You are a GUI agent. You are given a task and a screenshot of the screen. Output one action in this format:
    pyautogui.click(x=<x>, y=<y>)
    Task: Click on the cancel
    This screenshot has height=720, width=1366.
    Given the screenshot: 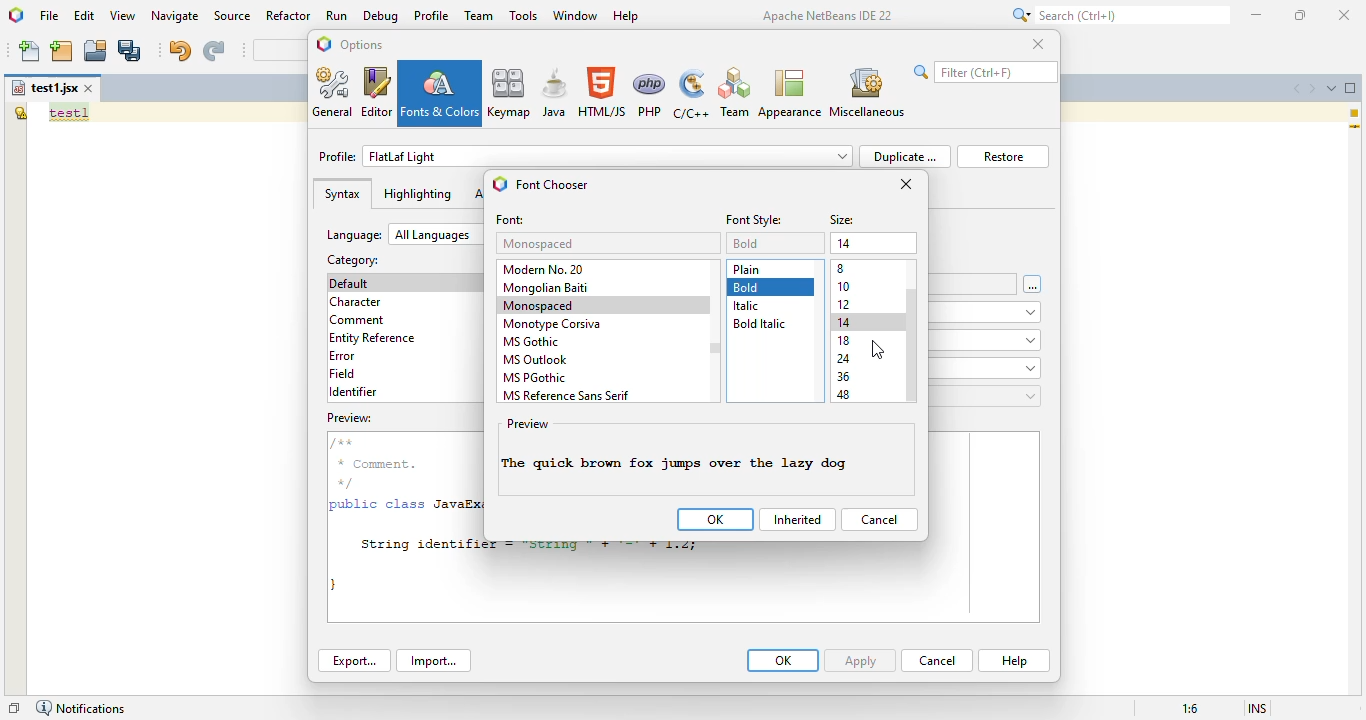 What is the action you would take?
    pyautogui.click(x=937, y=660)
    